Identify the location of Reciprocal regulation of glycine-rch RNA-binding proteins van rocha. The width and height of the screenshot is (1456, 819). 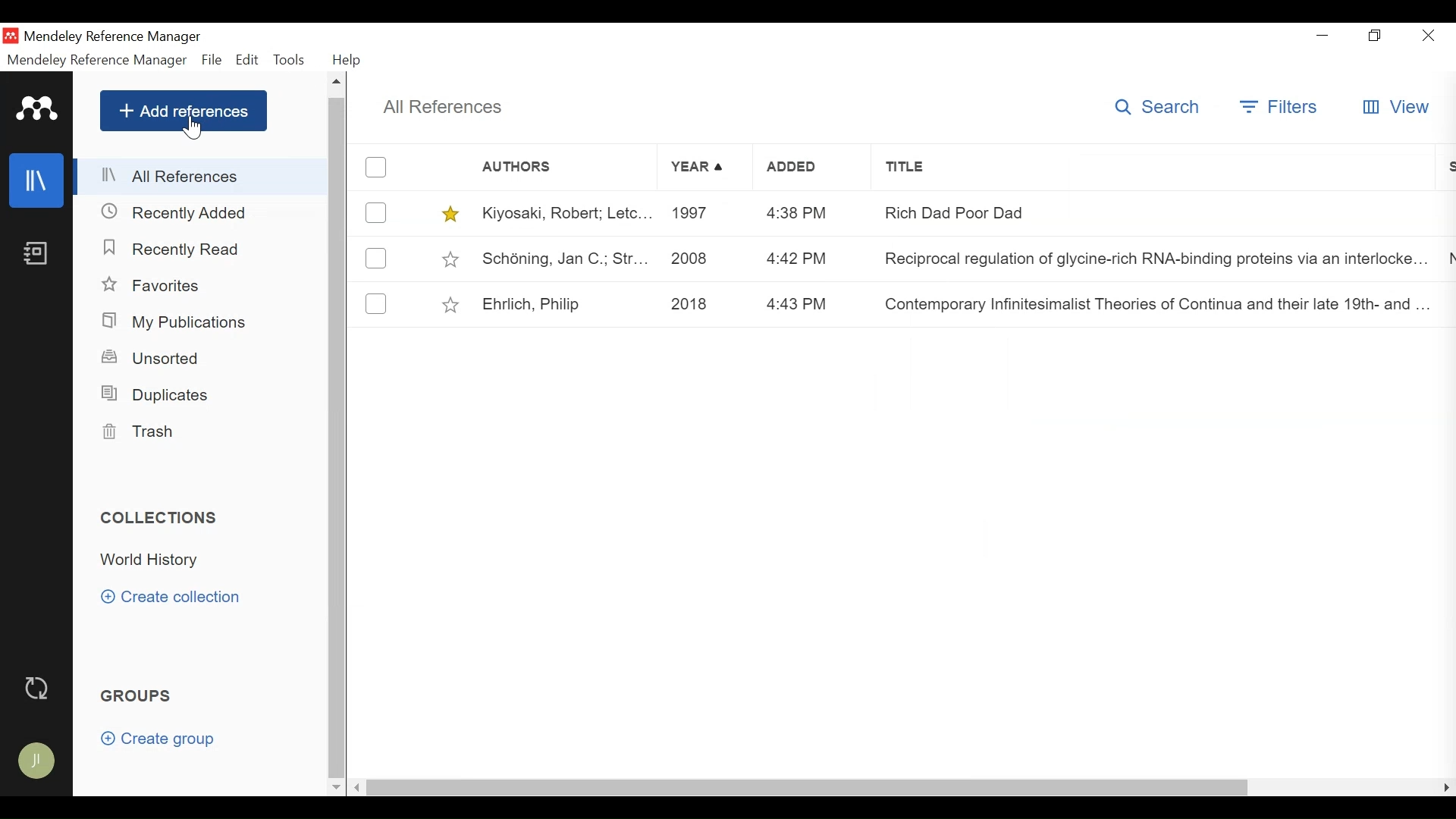
(1154, 262).